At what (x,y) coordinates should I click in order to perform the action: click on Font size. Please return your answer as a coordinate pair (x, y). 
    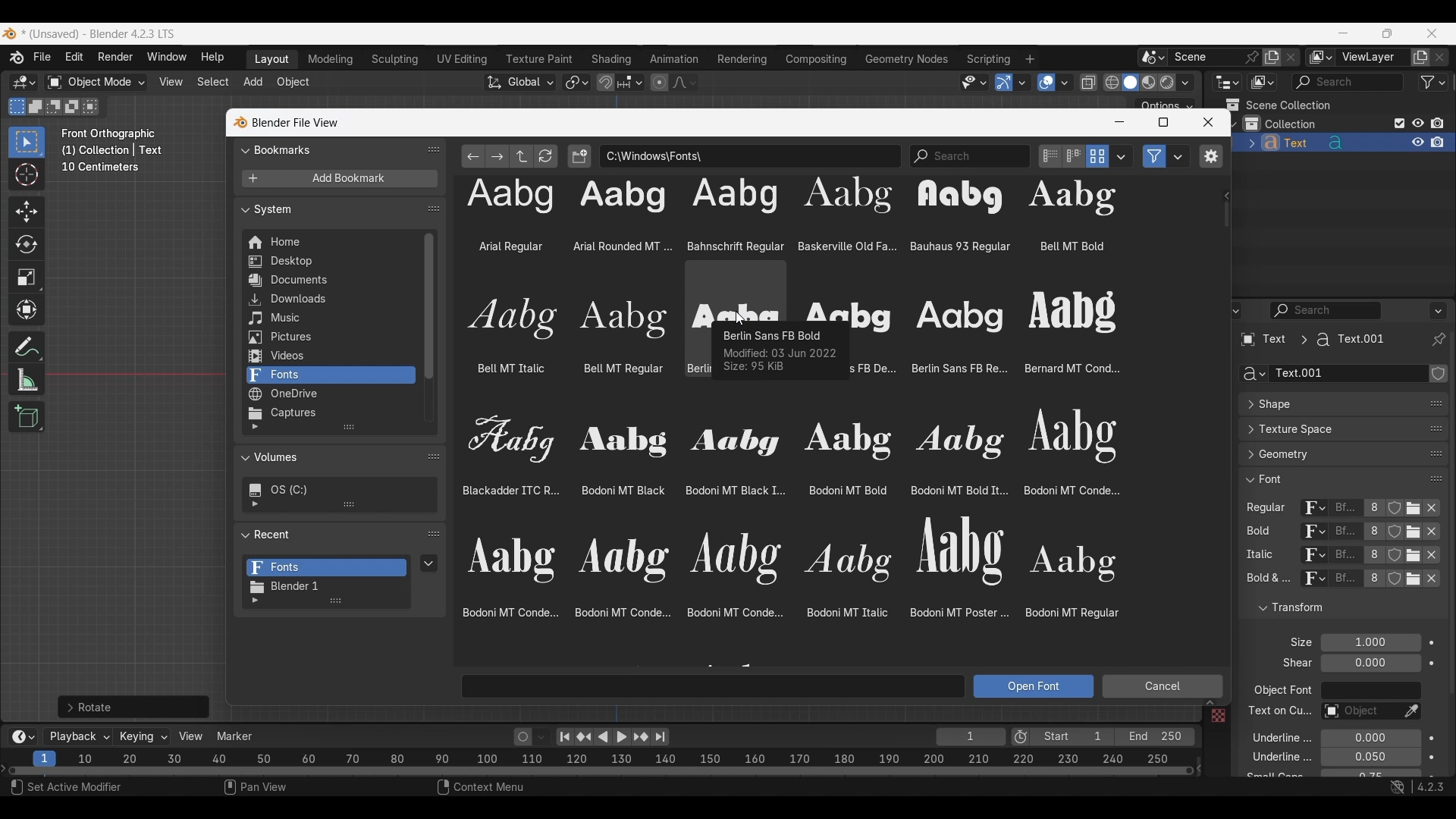
    Looking at the image, I should click on (1372, 643).